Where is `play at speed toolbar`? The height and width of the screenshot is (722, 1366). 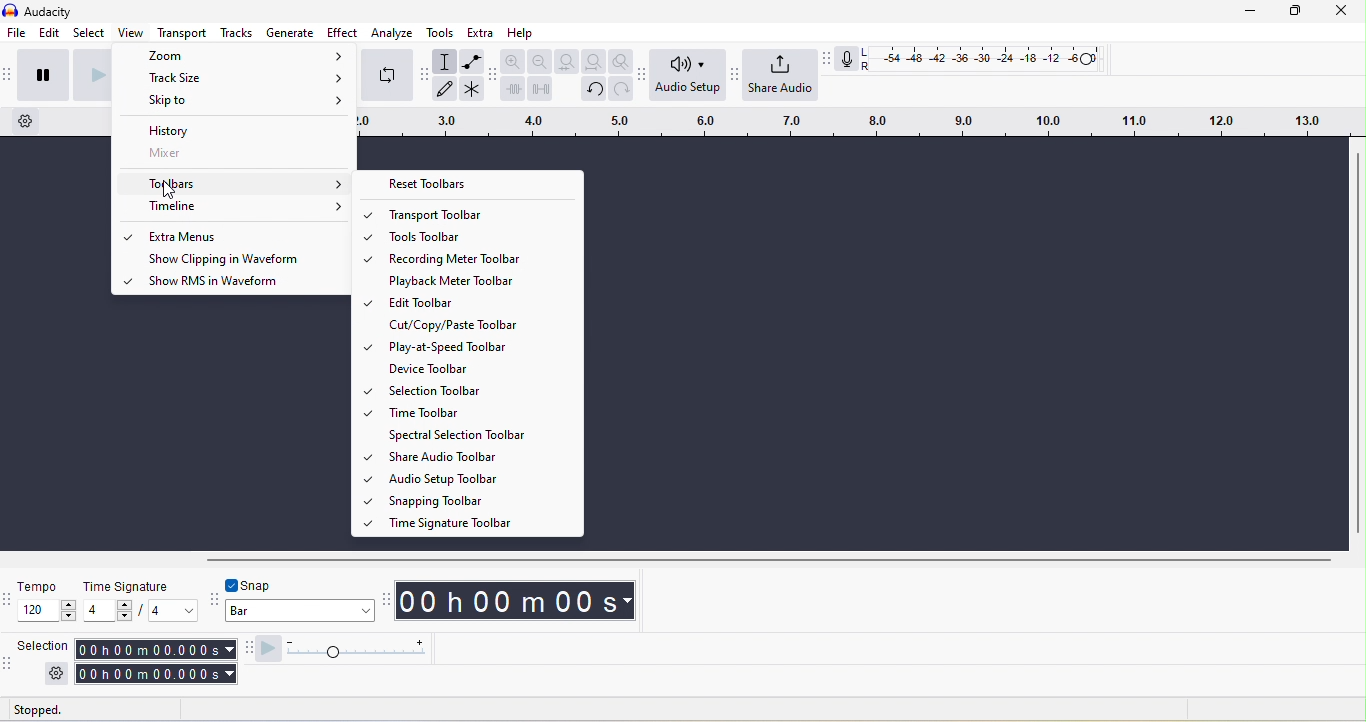
play at speed toolbar is located at coordinates (246, 649).